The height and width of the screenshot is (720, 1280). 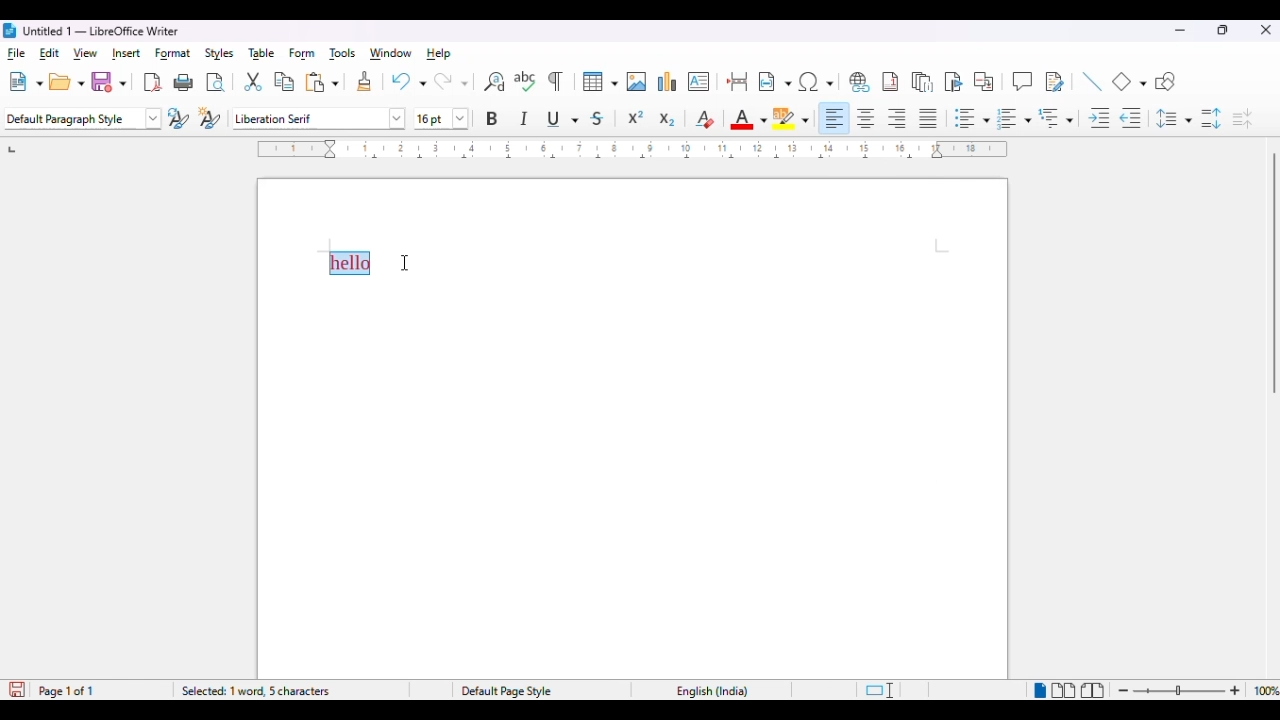 I want to click on minimize, so click(x=1179, y=30).